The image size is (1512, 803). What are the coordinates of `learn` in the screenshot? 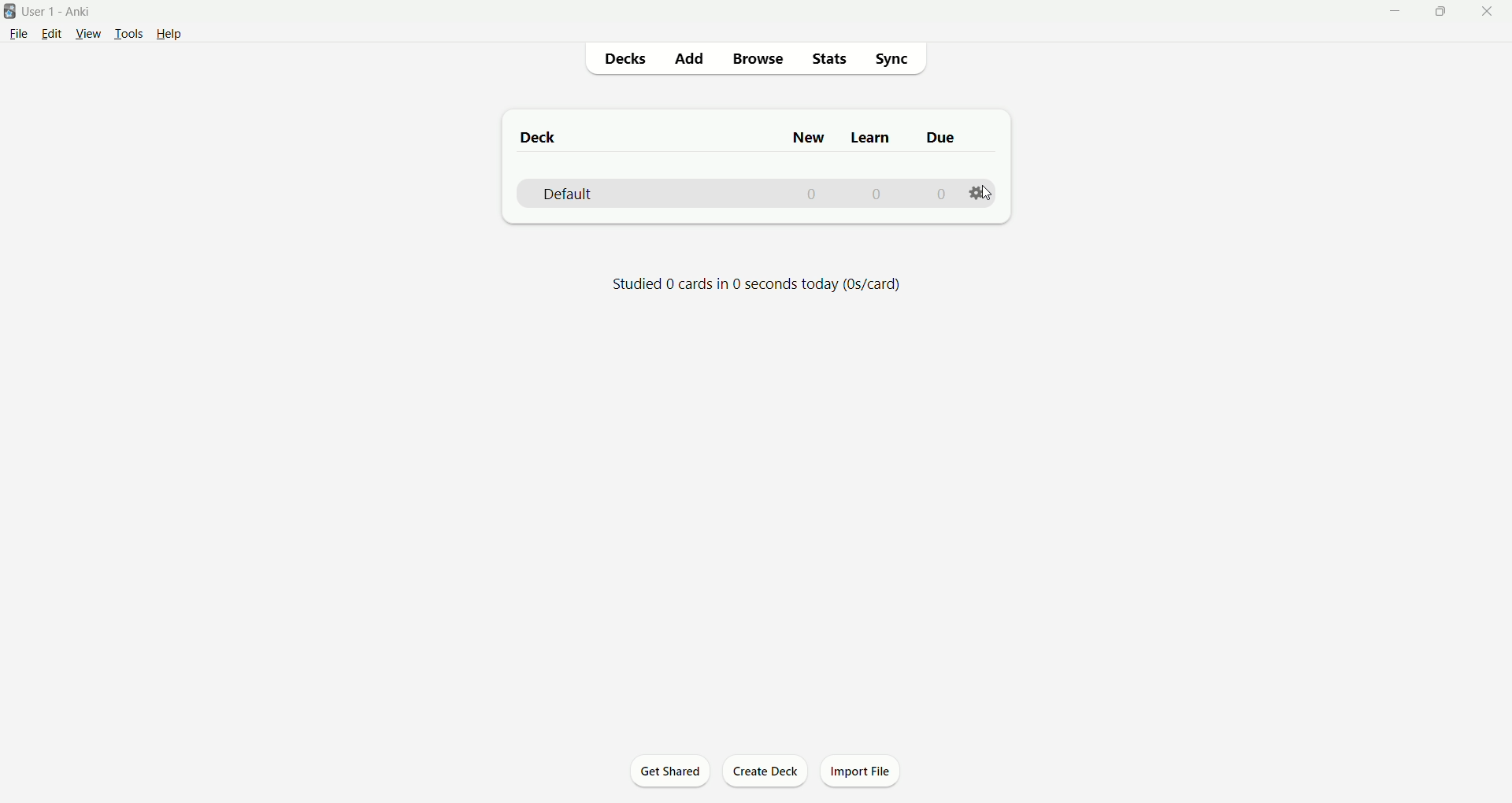 It's located at (870, 140).